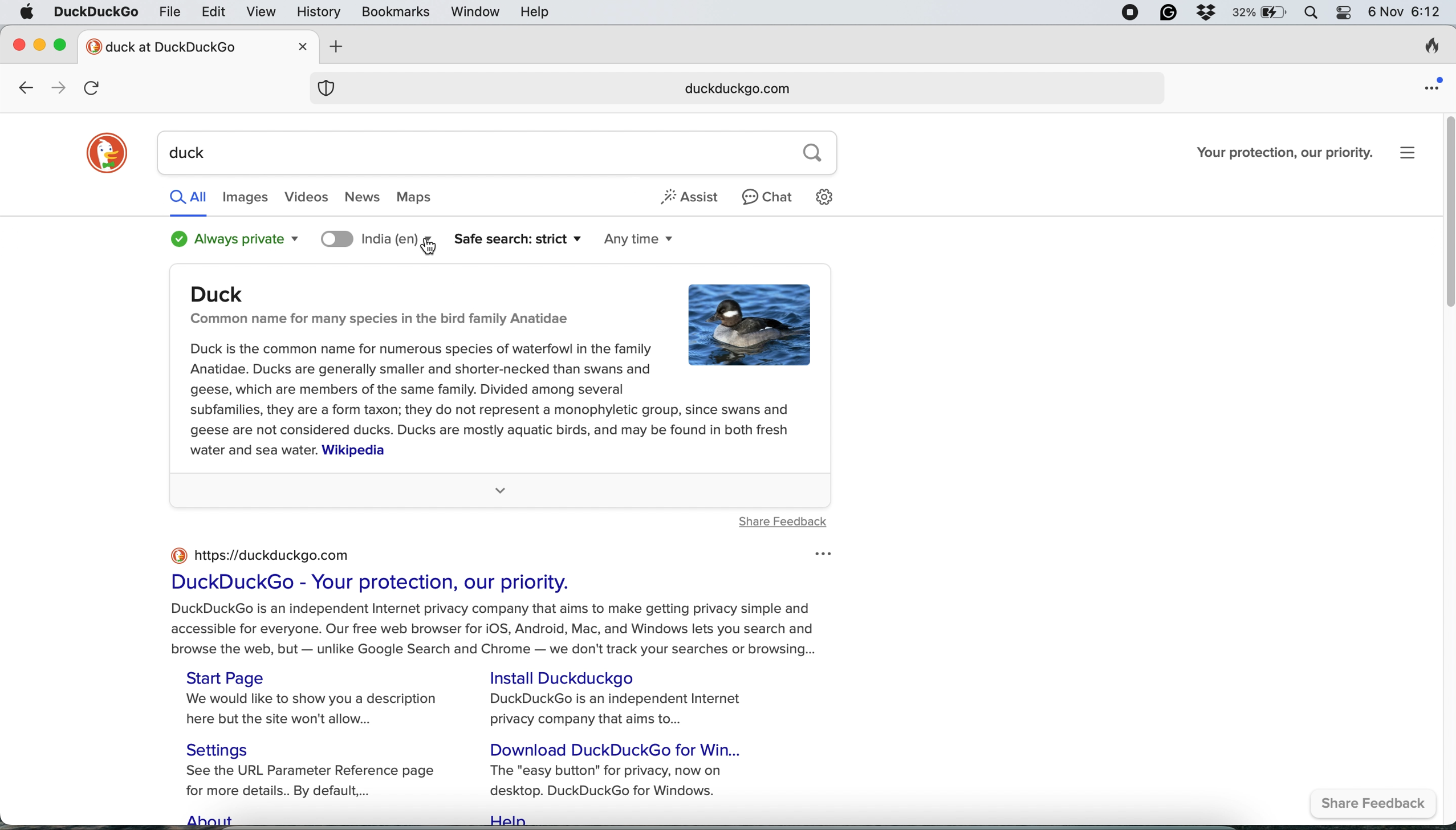  I want to click on minimise, so click(39, 43).